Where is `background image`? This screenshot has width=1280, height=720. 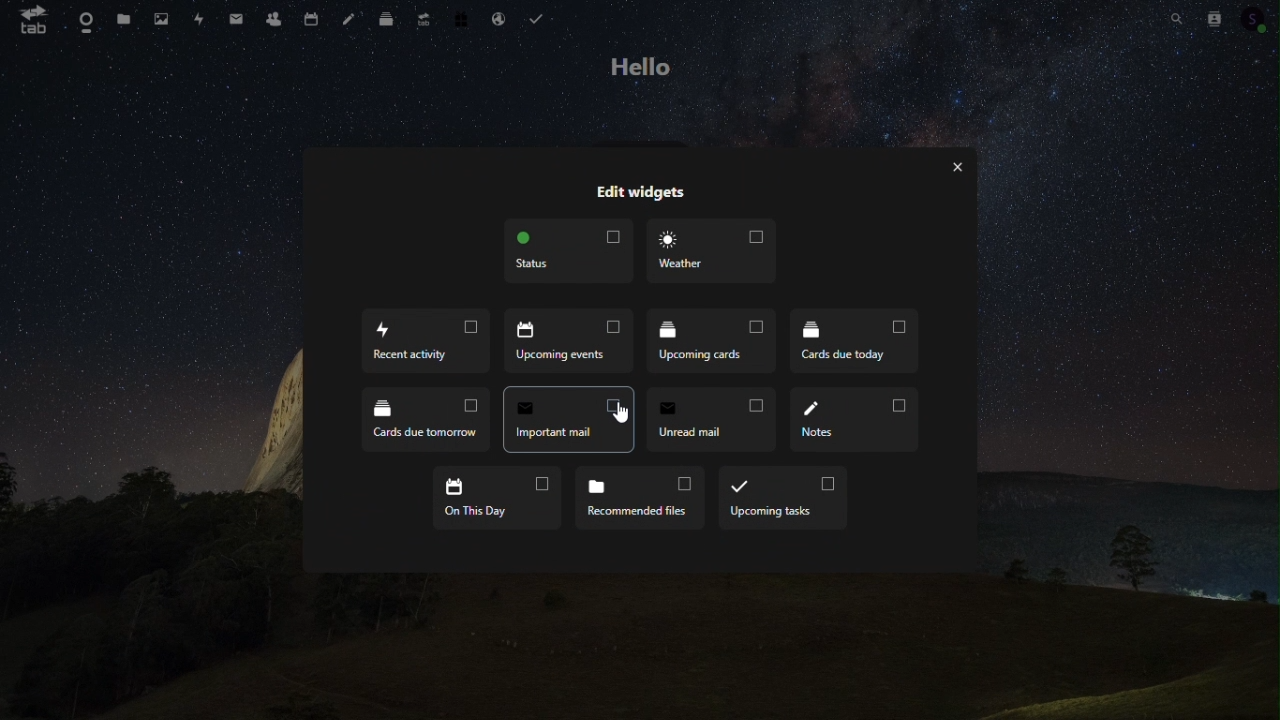 background image is located at coordinates (644, 648).